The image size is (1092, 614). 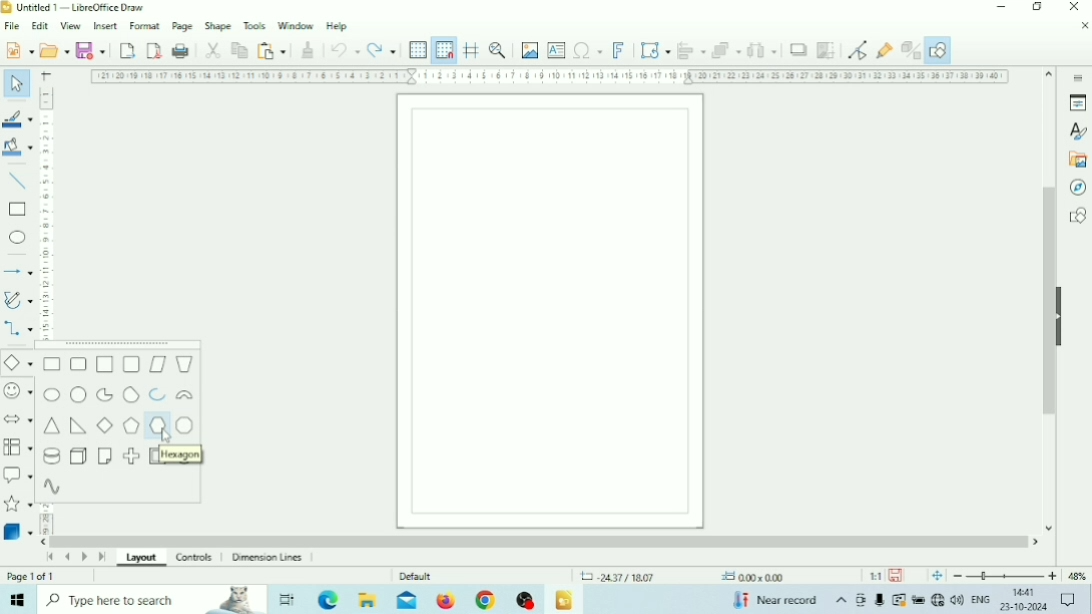 I want to click on Task View, so click(x=287, y=600).